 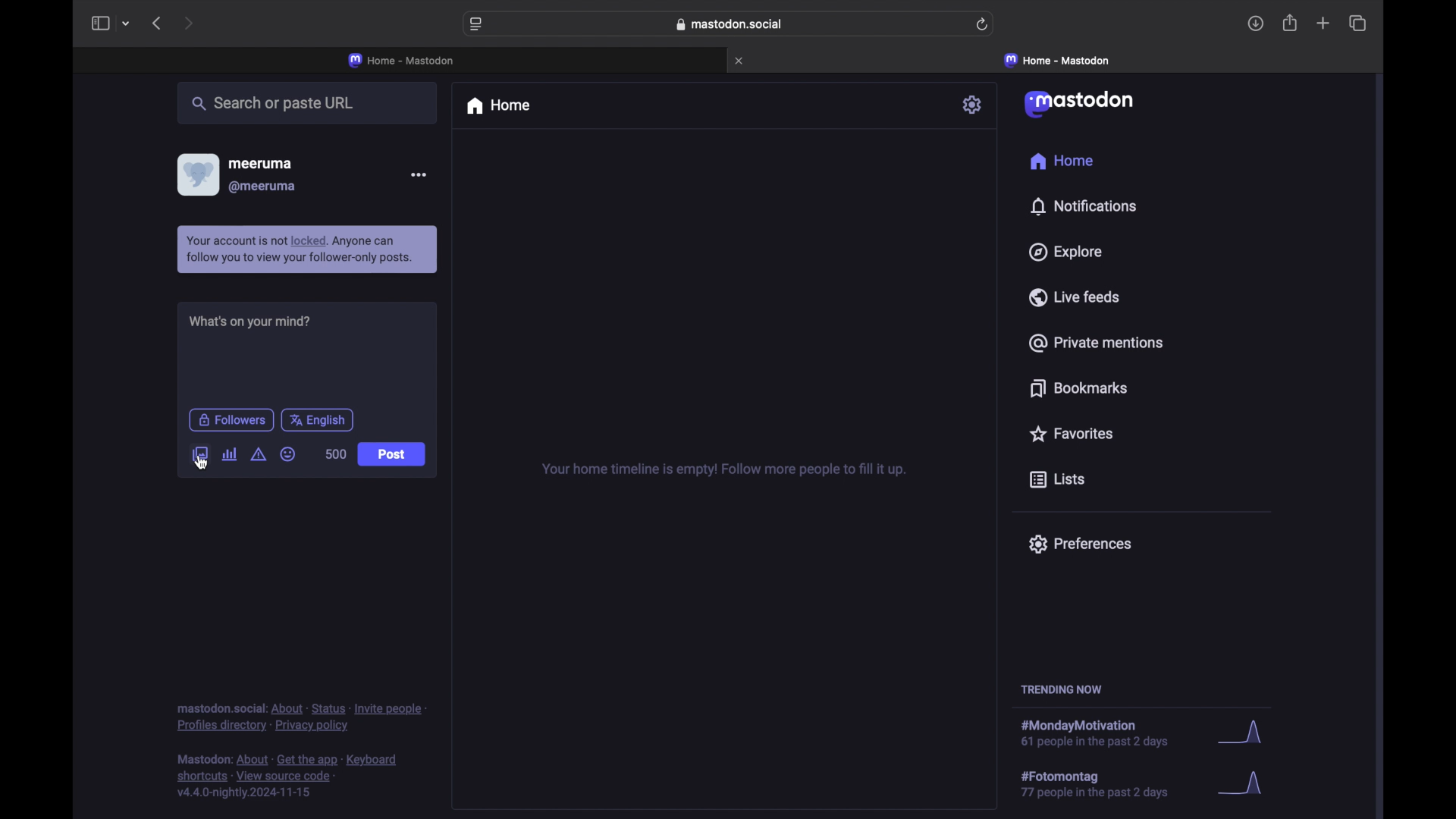 I want to click on show tab overview, so click(x=1357, y=23).